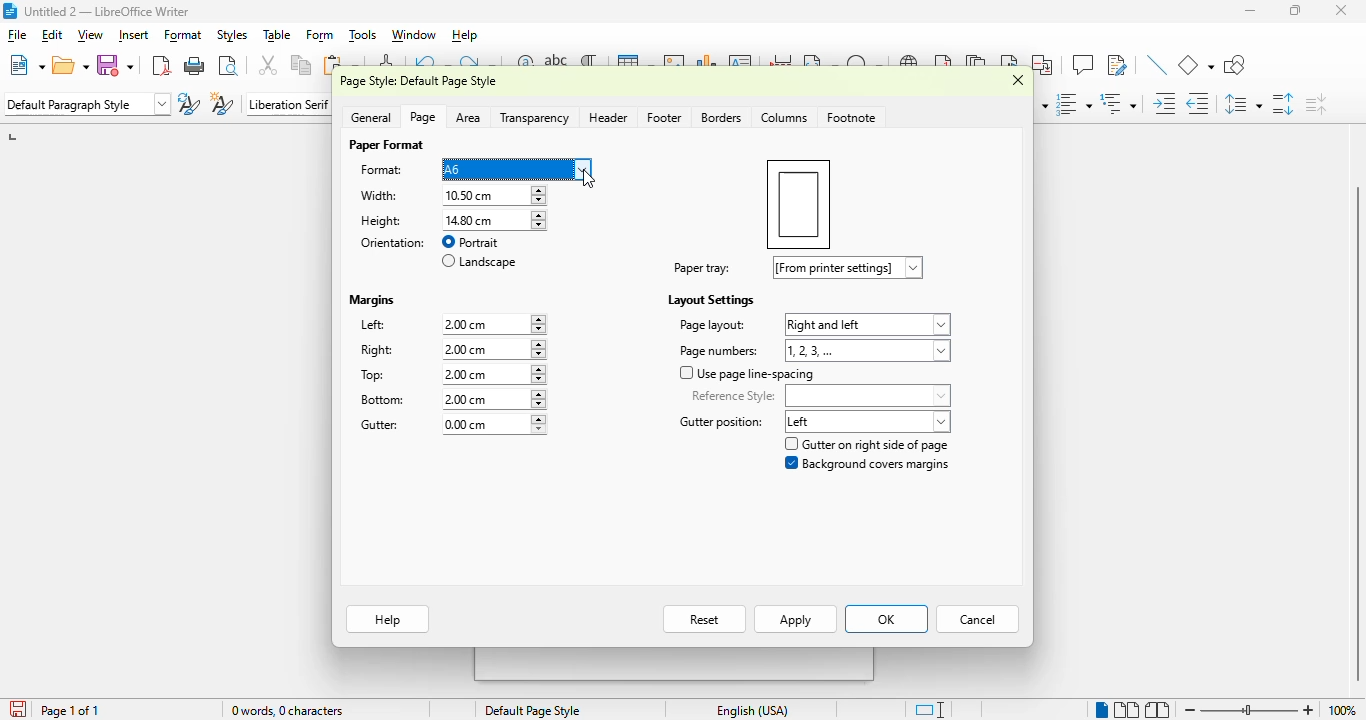 Image resolution: width=1366 pixels, height=720 pixels. What do you see at coordinates (1118, 104) in the screenshot?
I see `select outline format` at bounding box center [1118, 104].